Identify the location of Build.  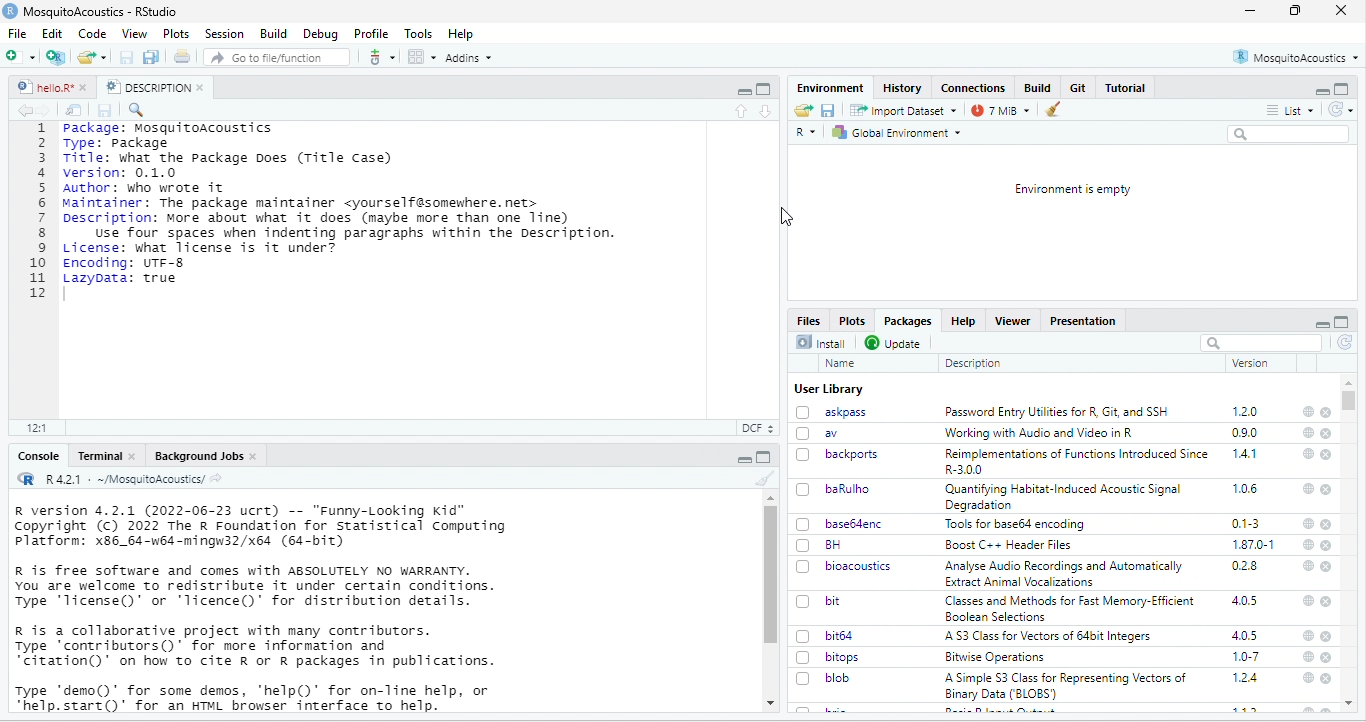
(1039, 87).